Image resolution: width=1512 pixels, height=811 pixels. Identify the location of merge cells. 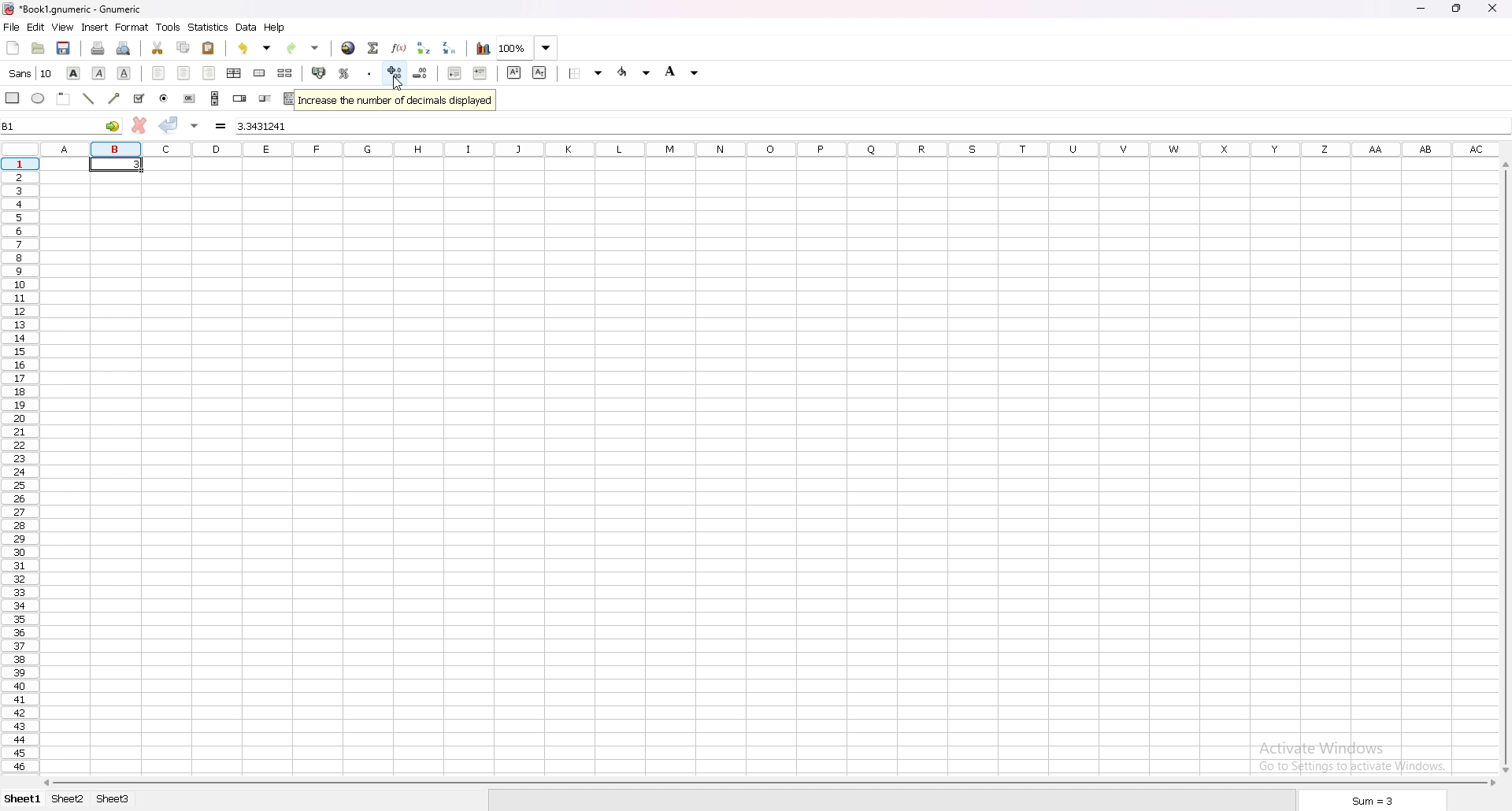
(259, 74).